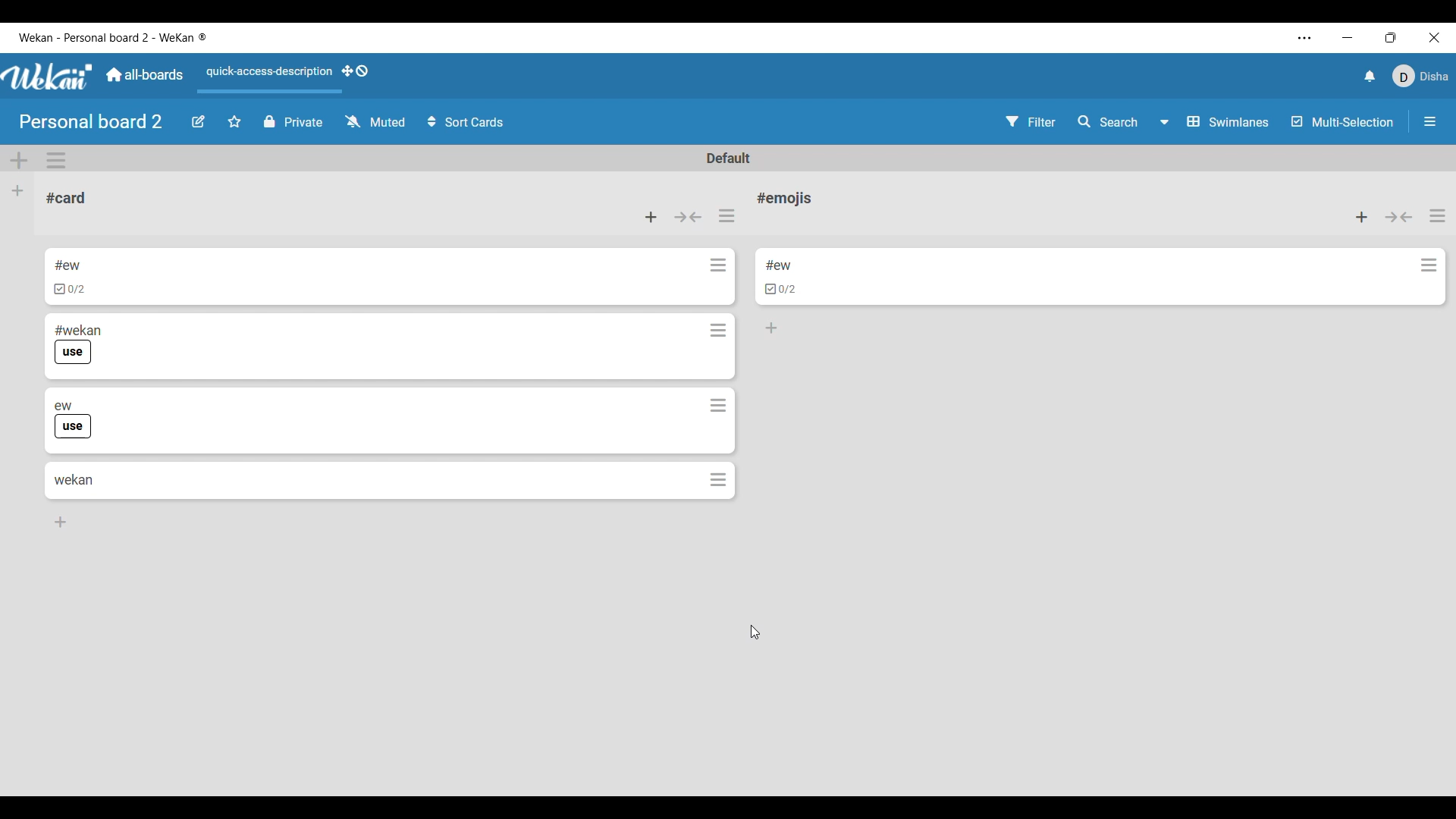 Image resolution: width=1456 pixels, height=819 pixels. Describe the element at coordinates (20, 161) in the screenshot. I see `Add swimlane` at that location.